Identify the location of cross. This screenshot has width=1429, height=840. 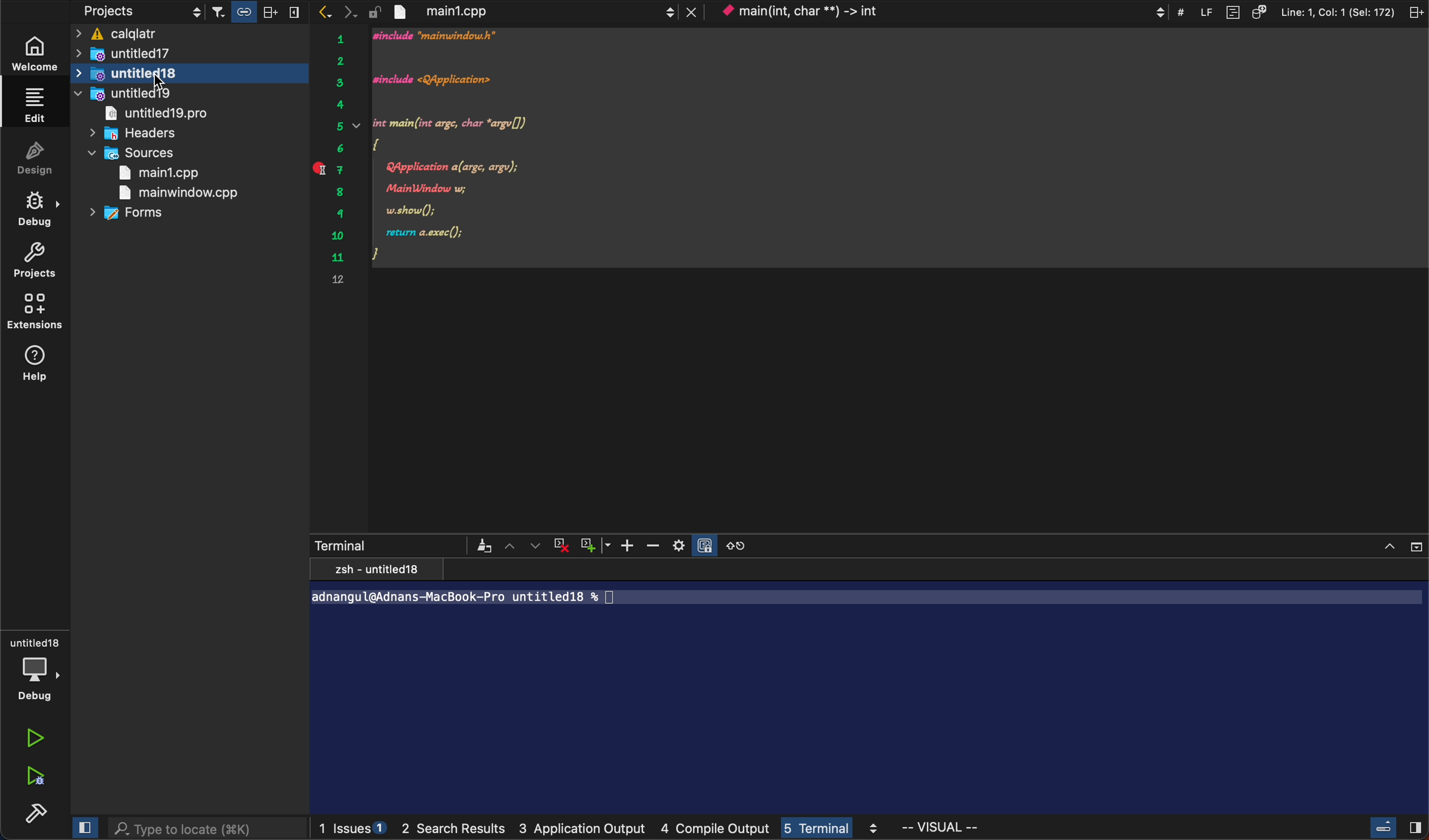
(565, 544).